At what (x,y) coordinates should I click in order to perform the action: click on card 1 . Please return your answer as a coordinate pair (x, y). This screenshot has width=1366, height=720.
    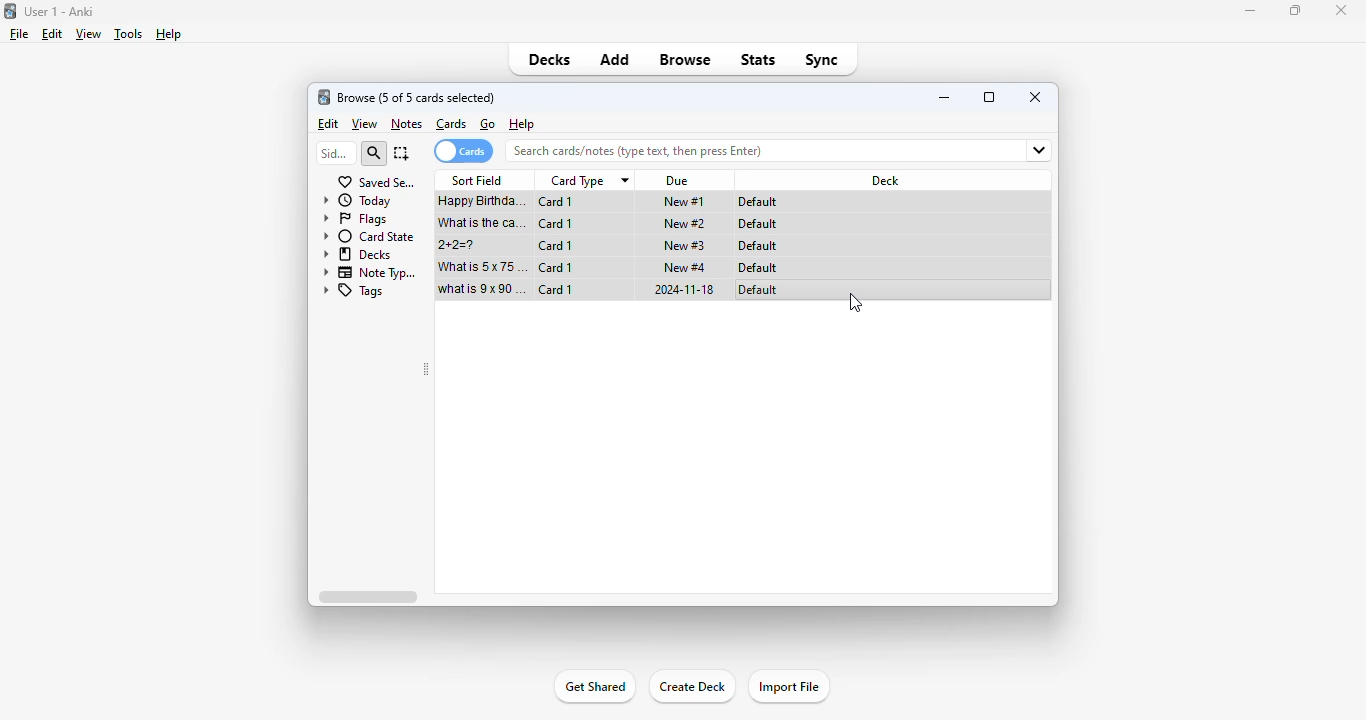
    Looking at the image, I should click on (556, 289).